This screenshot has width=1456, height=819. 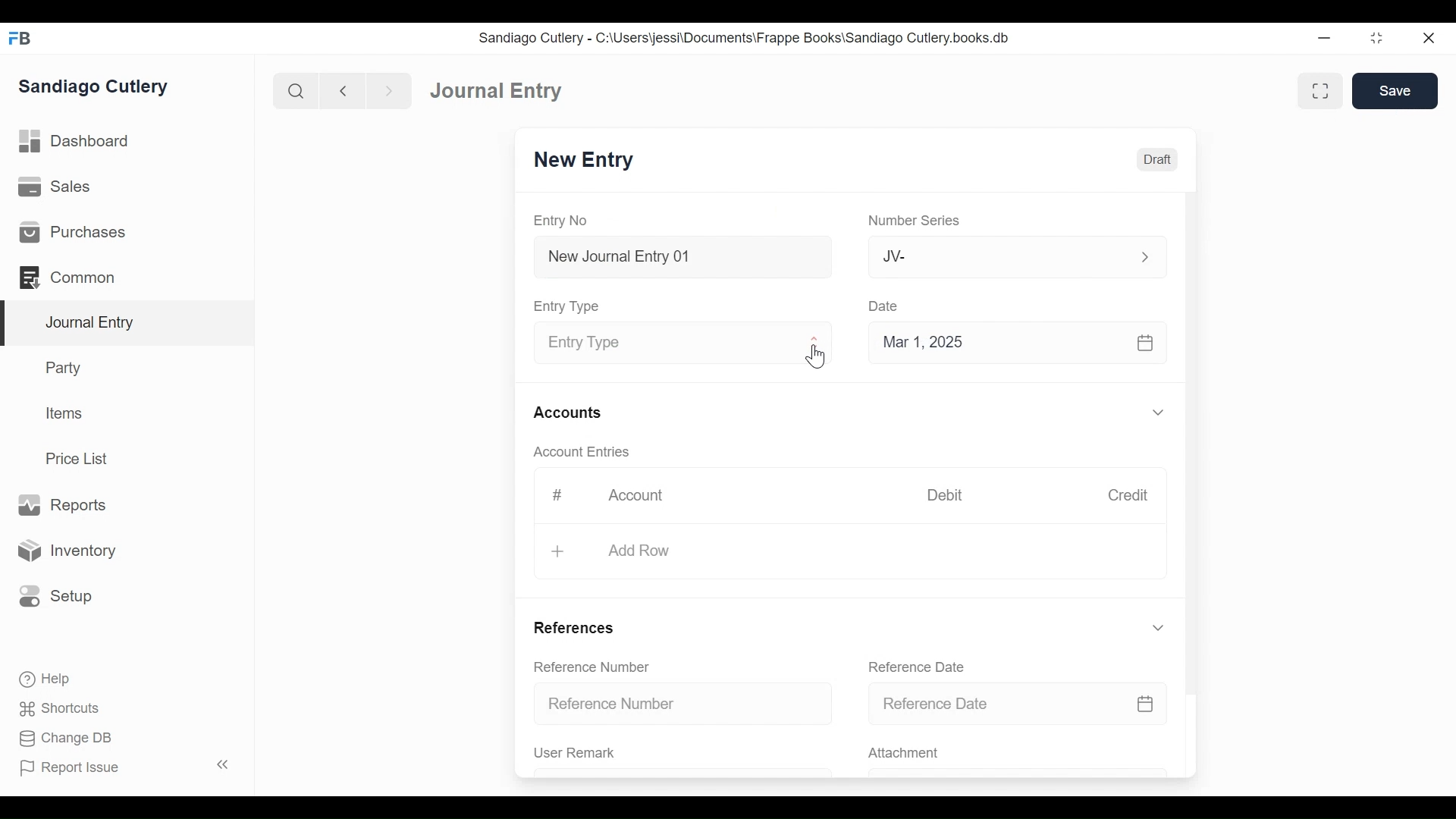 I want to click on Jv-, so click(x=1007, y=257).